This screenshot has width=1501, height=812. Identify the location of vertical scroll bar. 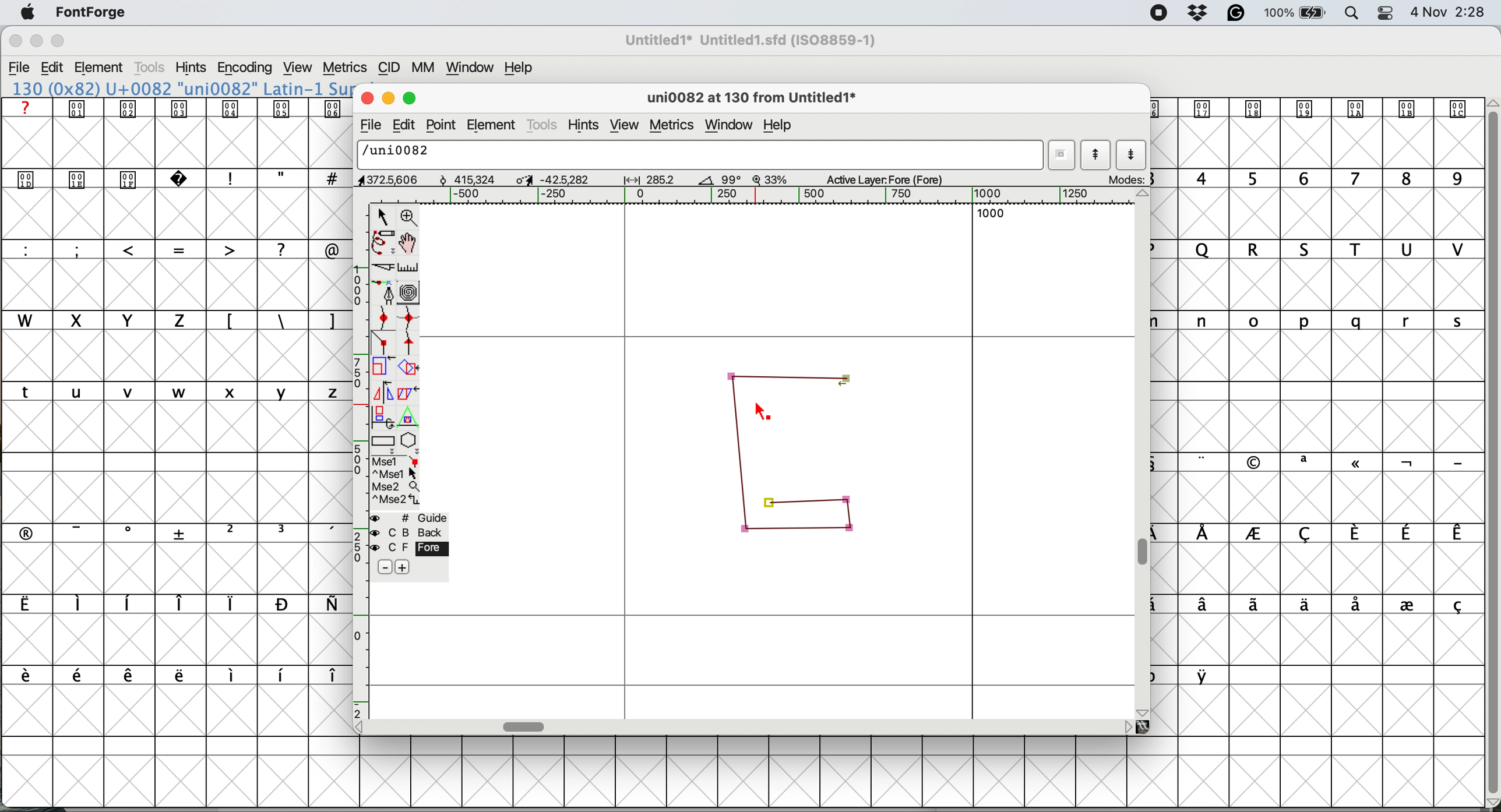
(1491, 448).